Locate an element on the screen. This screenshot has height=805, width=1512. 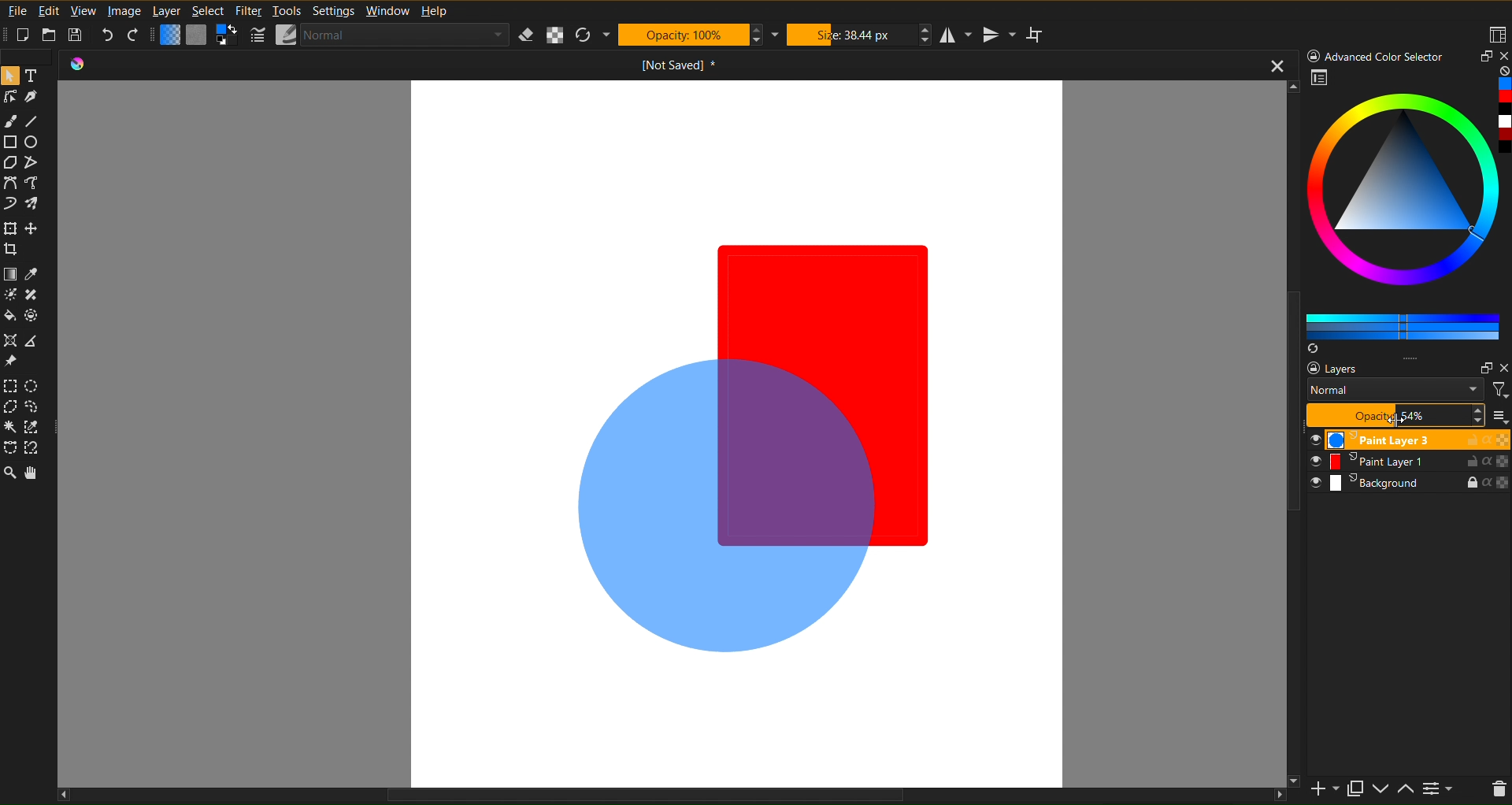
Selection Tool is located at coordinates (31, 447).